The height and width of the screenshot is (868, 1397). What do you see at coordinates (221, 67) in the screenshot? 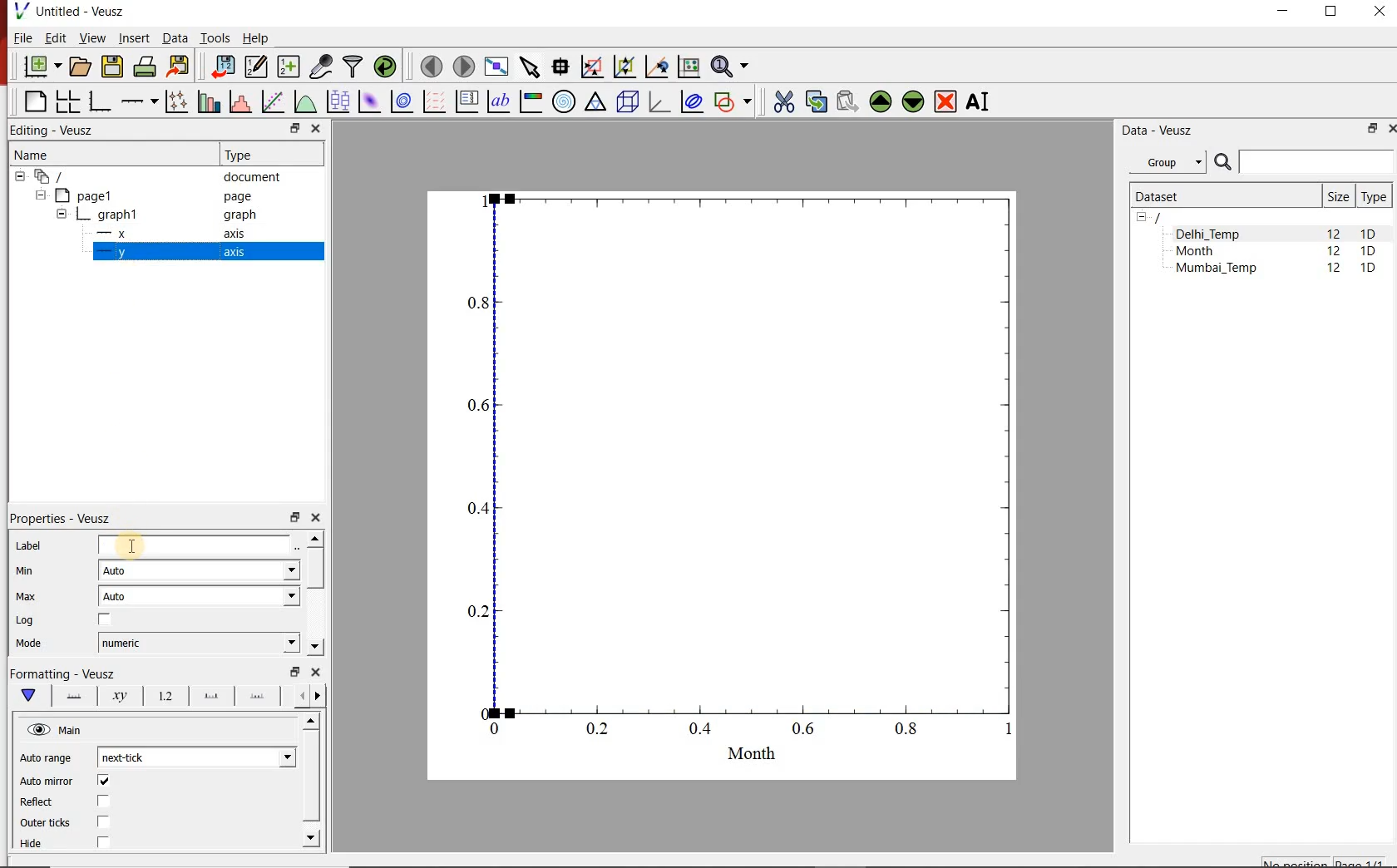
I see `import data into Veusz` at bounding box center [221, 67].